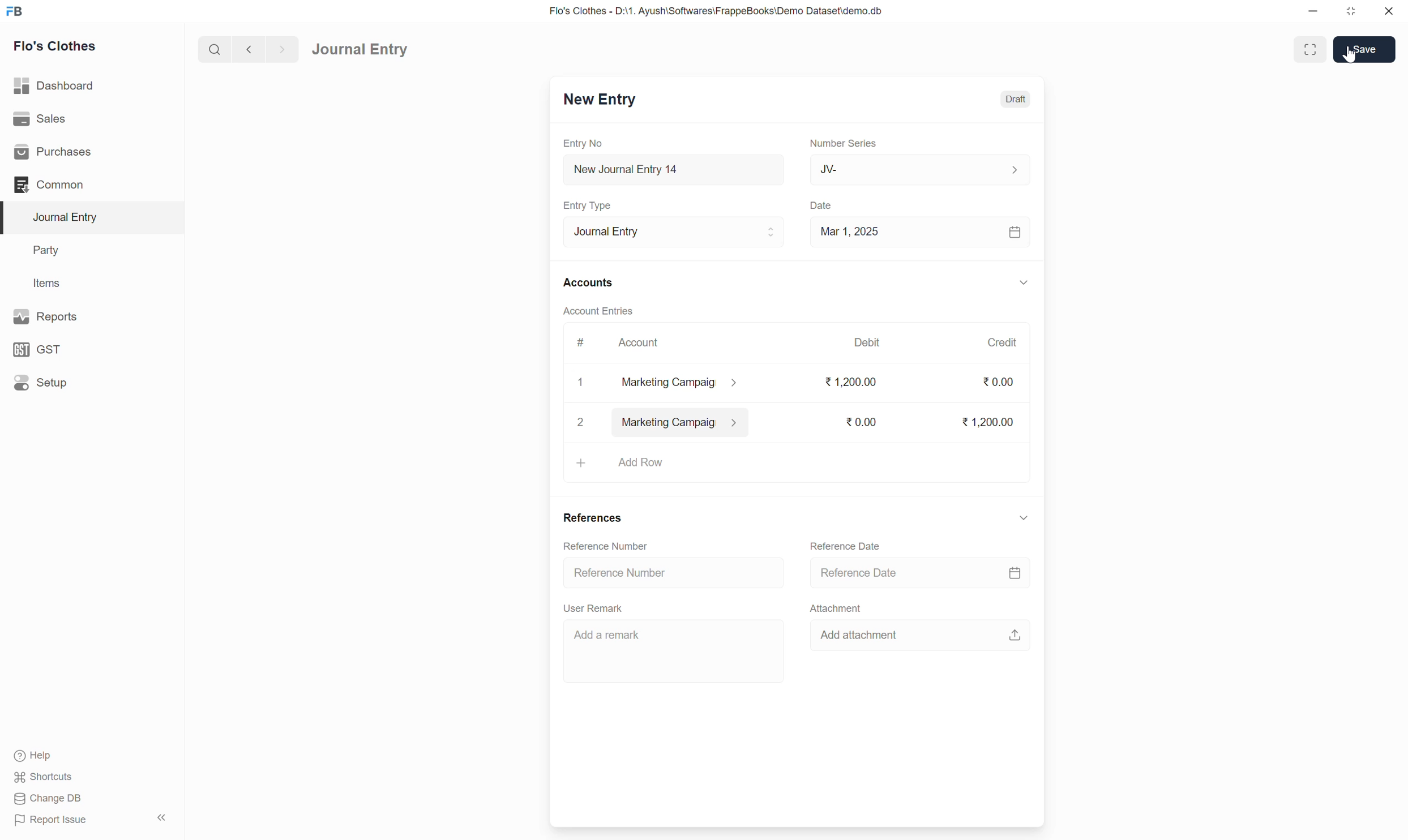 The width and height of the screenshot is (1408, 840). Describe the element at coordinates (1013, 573) in the screenshot. I see `calendar` at that location.